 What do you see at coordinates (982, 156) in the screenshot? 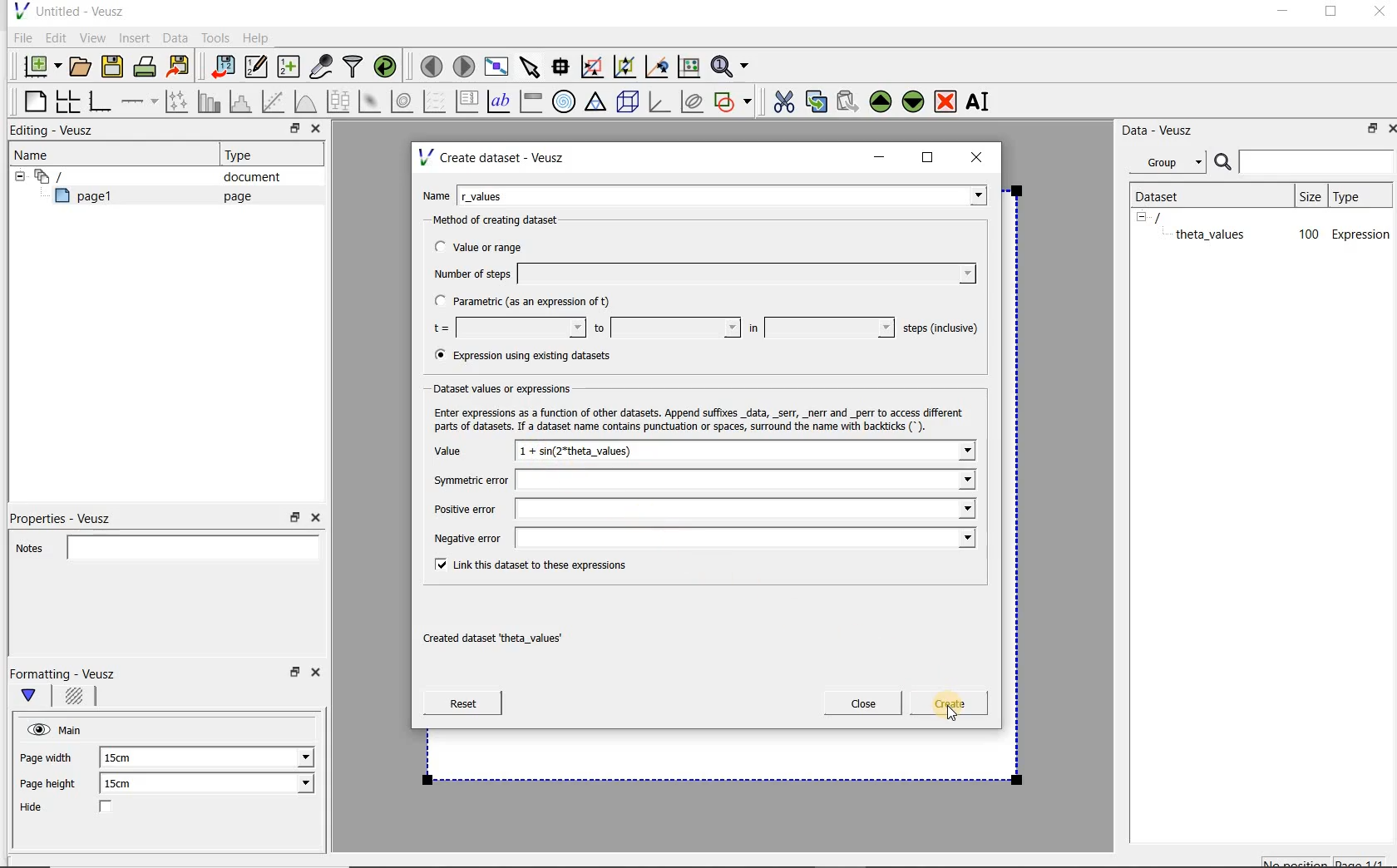
I see `close` at bounding box center [982, 156].